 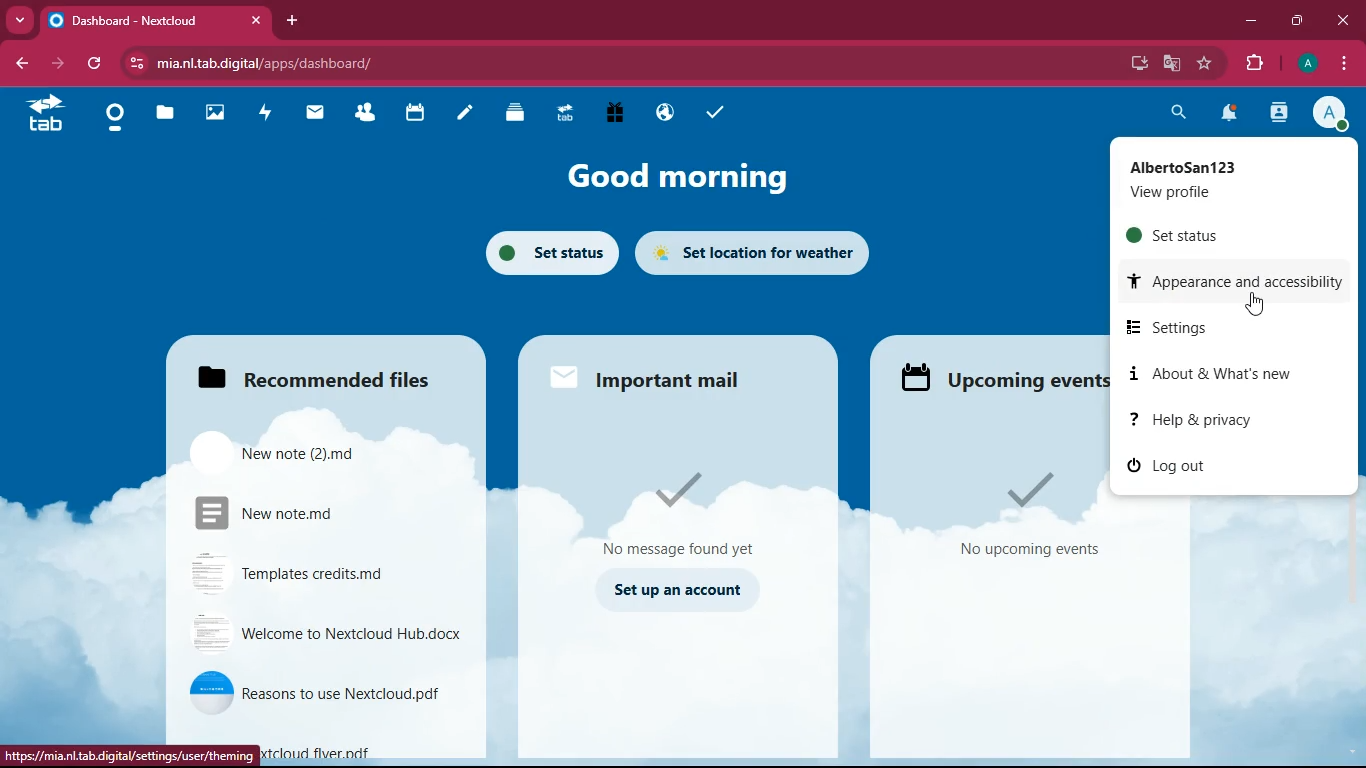 What do you see at coordinates (674, 179) in the screenshot?
I see `good morning` at bounding box center [674, 179].